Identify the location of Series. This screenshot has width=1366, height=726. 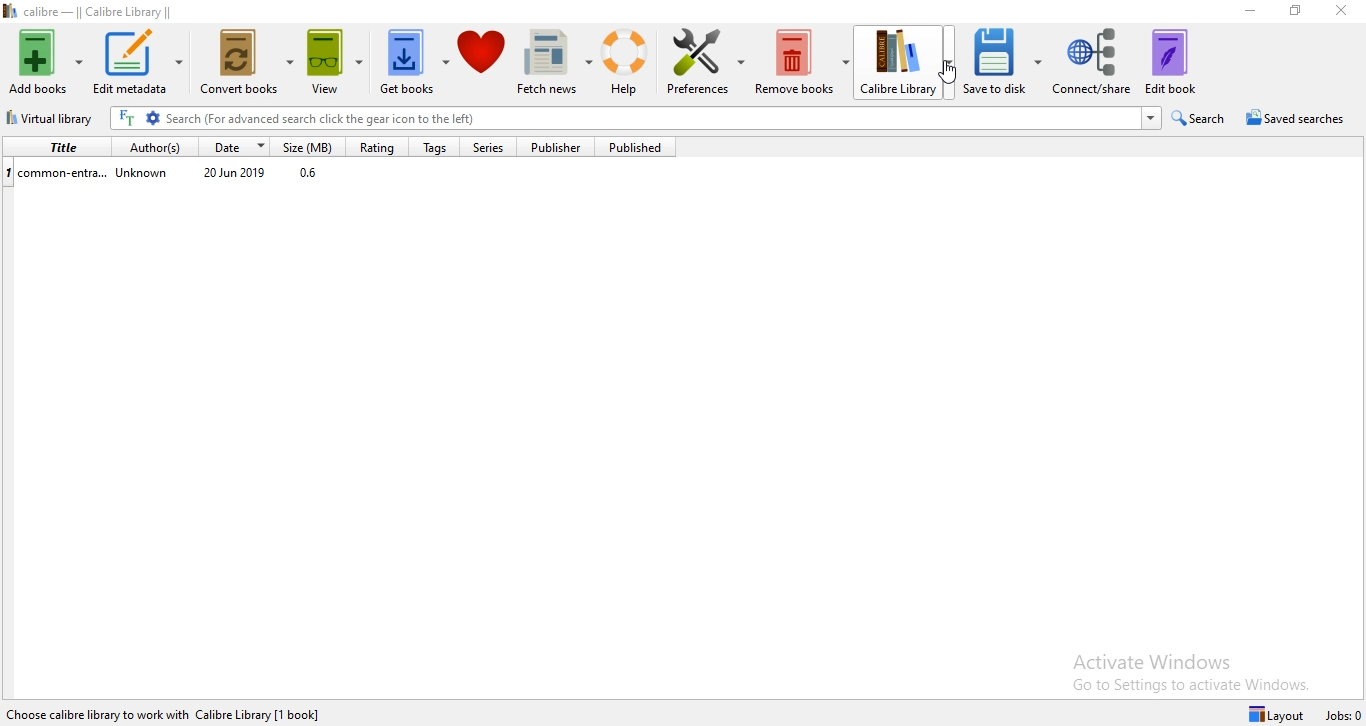
(495, 148).